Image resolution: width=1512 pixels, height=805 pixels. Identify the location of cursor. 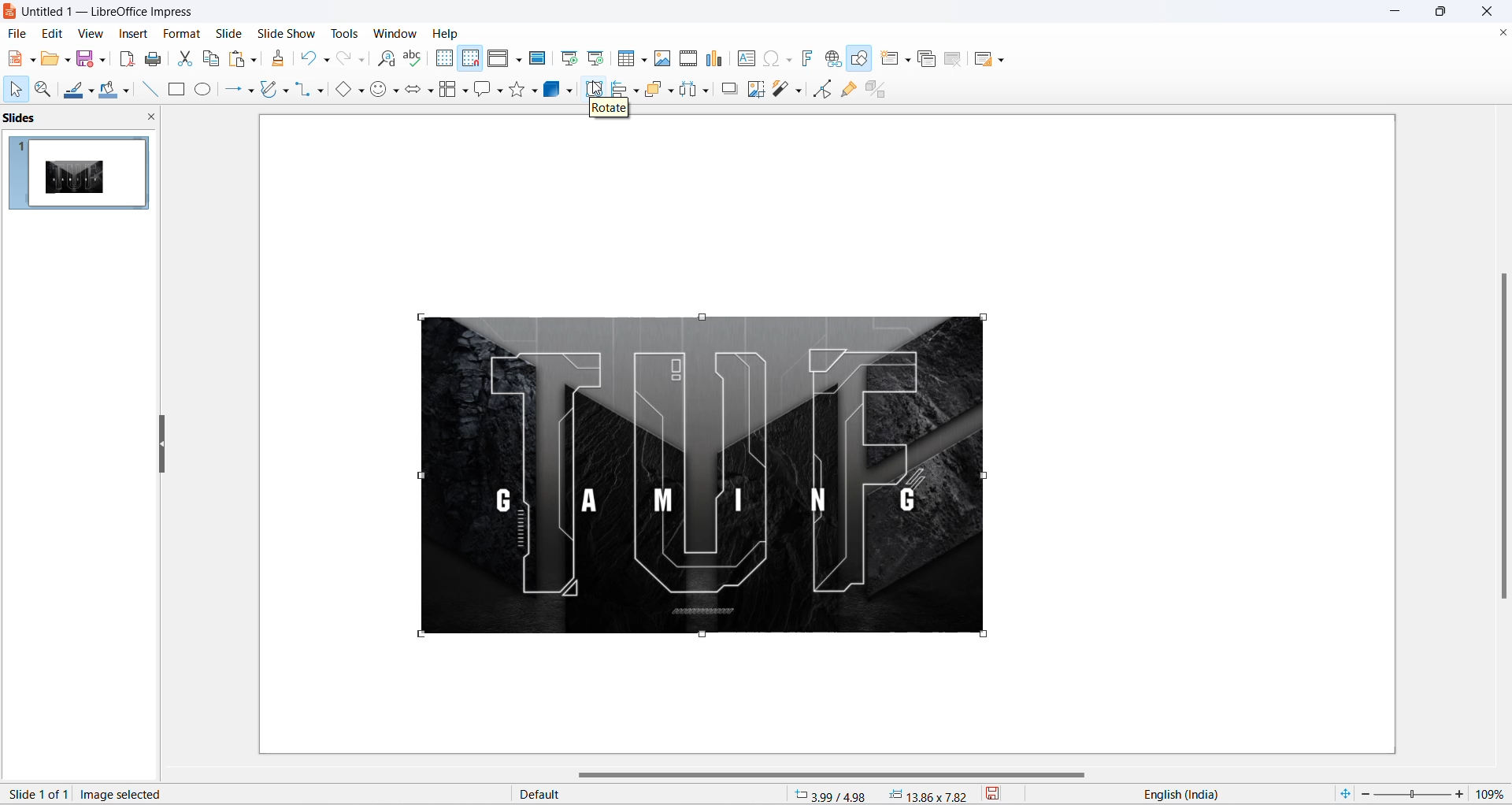
(594, 84).